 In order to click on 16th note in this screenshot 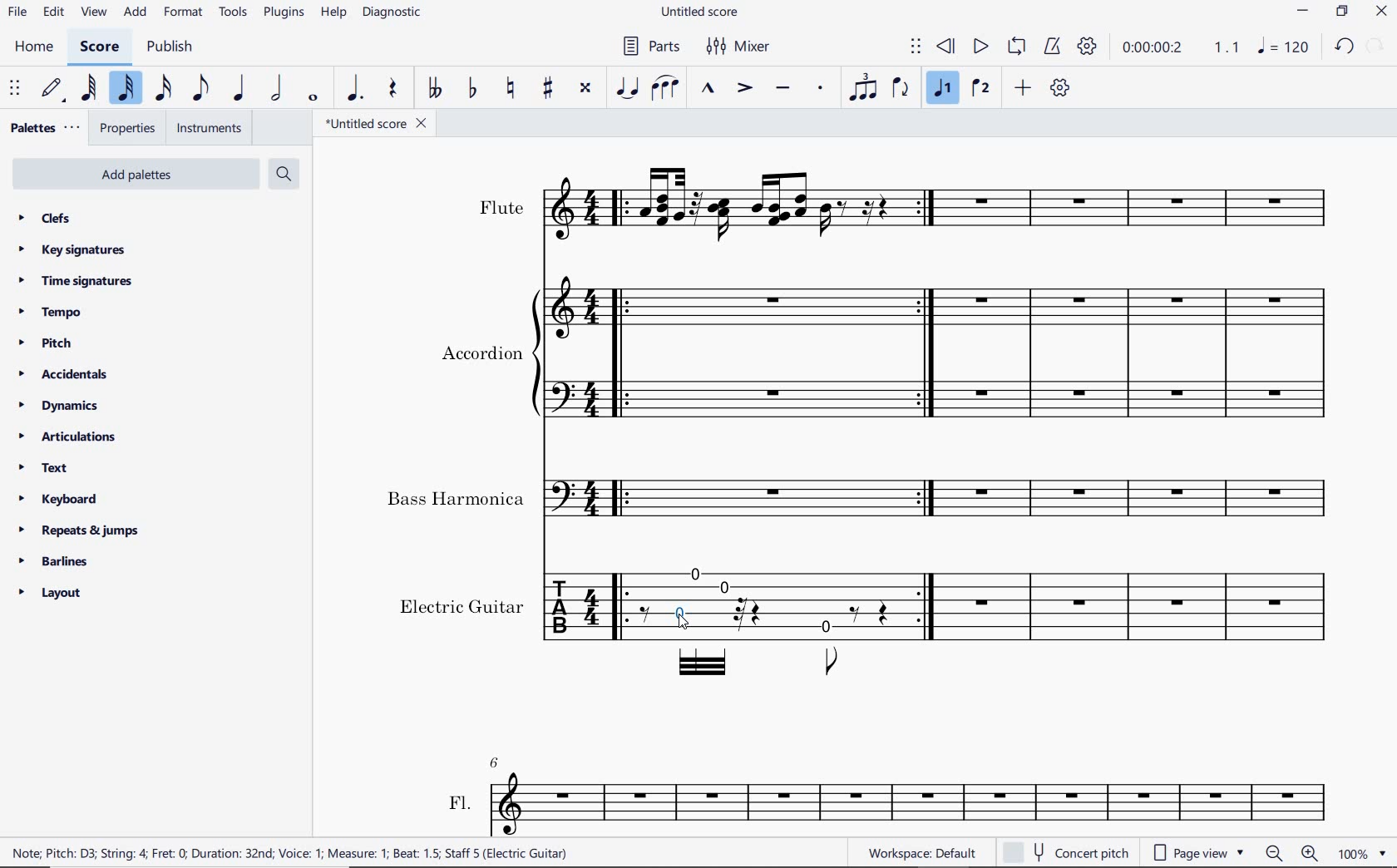, I will do `click(164, 86)`.